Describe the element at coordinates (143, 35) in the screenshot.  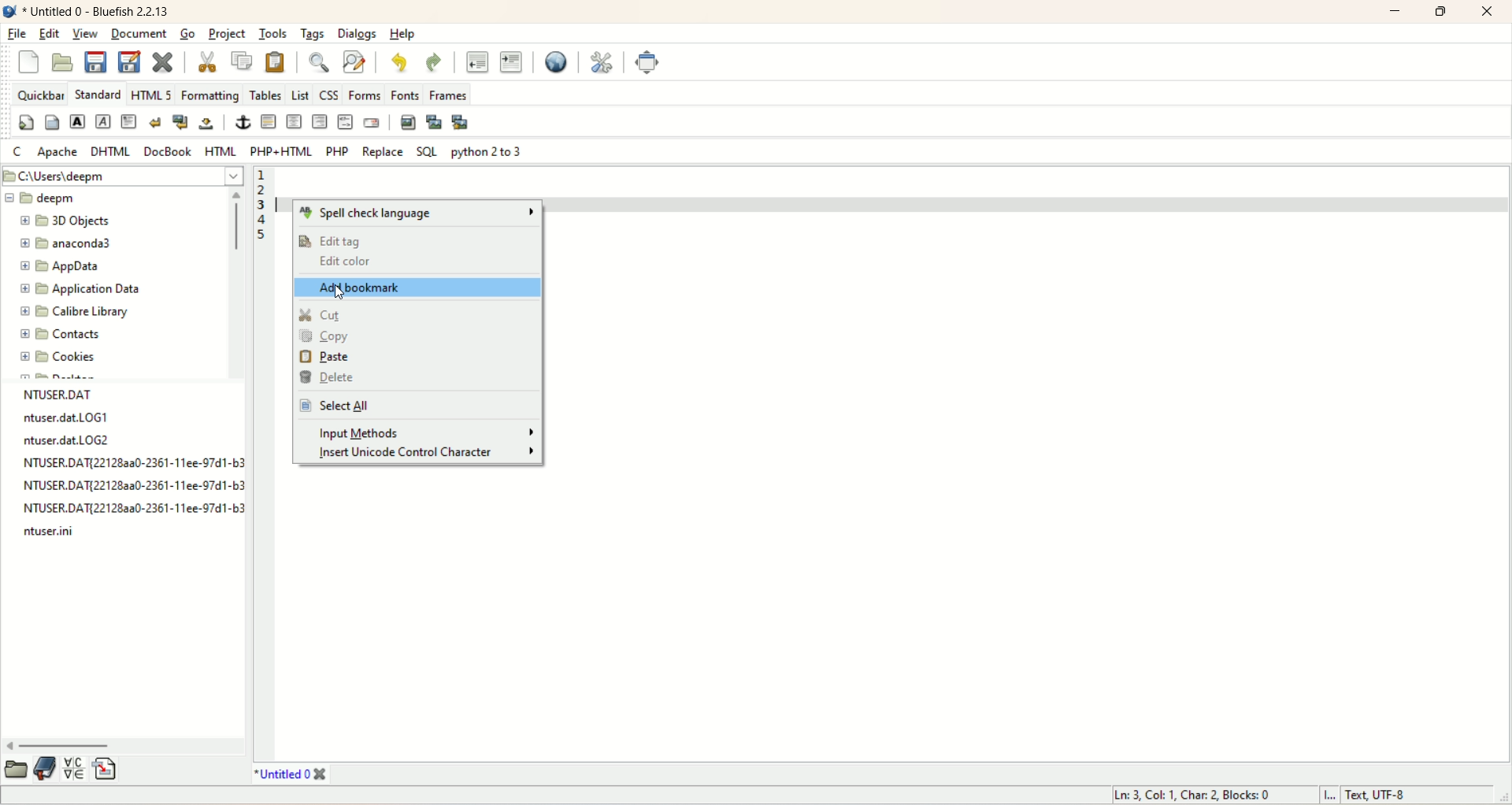
I see `document` at that location.